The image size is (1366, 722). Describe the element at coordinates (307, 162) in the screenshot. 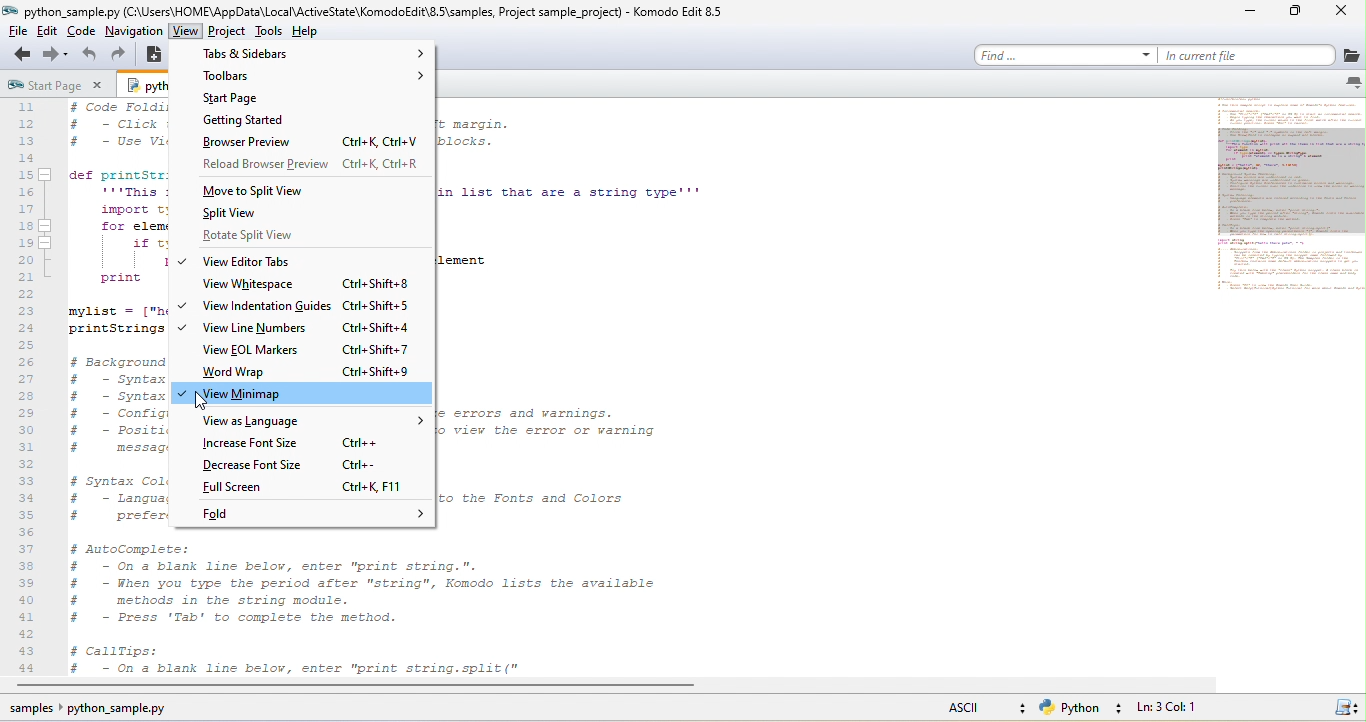

I see `reload browse preview` at that location.